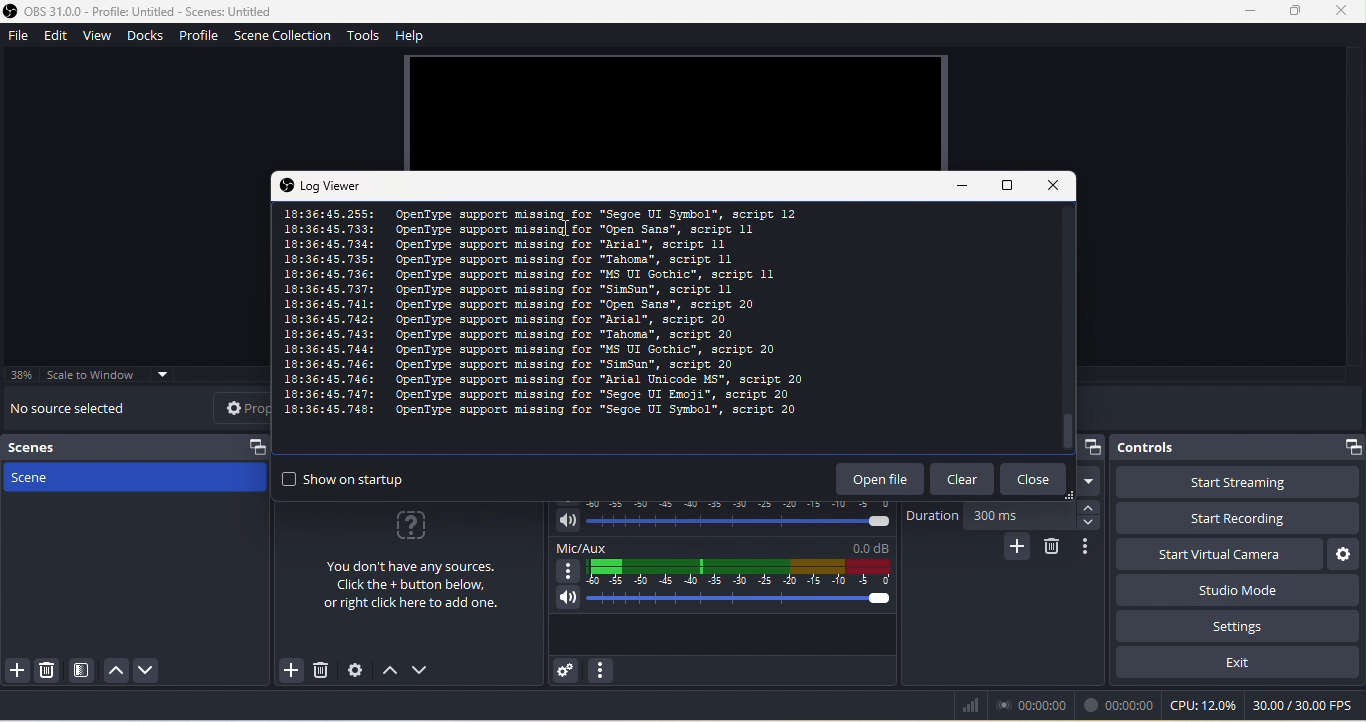  Describe the element at coordinates (1123, 704) in the screenshot. I see `00.00.00` at that location.